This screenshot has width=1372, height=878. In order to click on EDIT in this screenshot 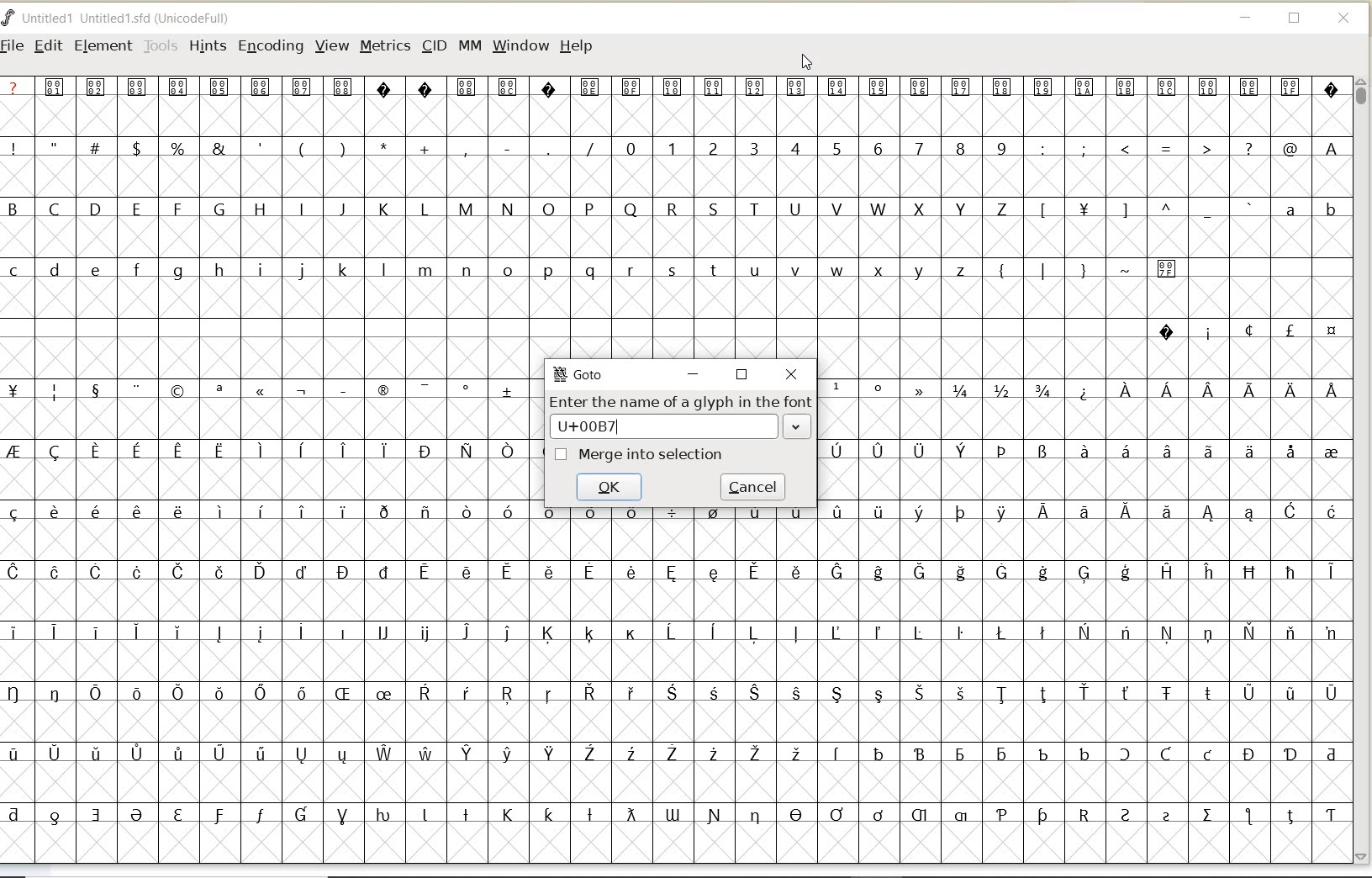, I will do `click(48, 47)`.